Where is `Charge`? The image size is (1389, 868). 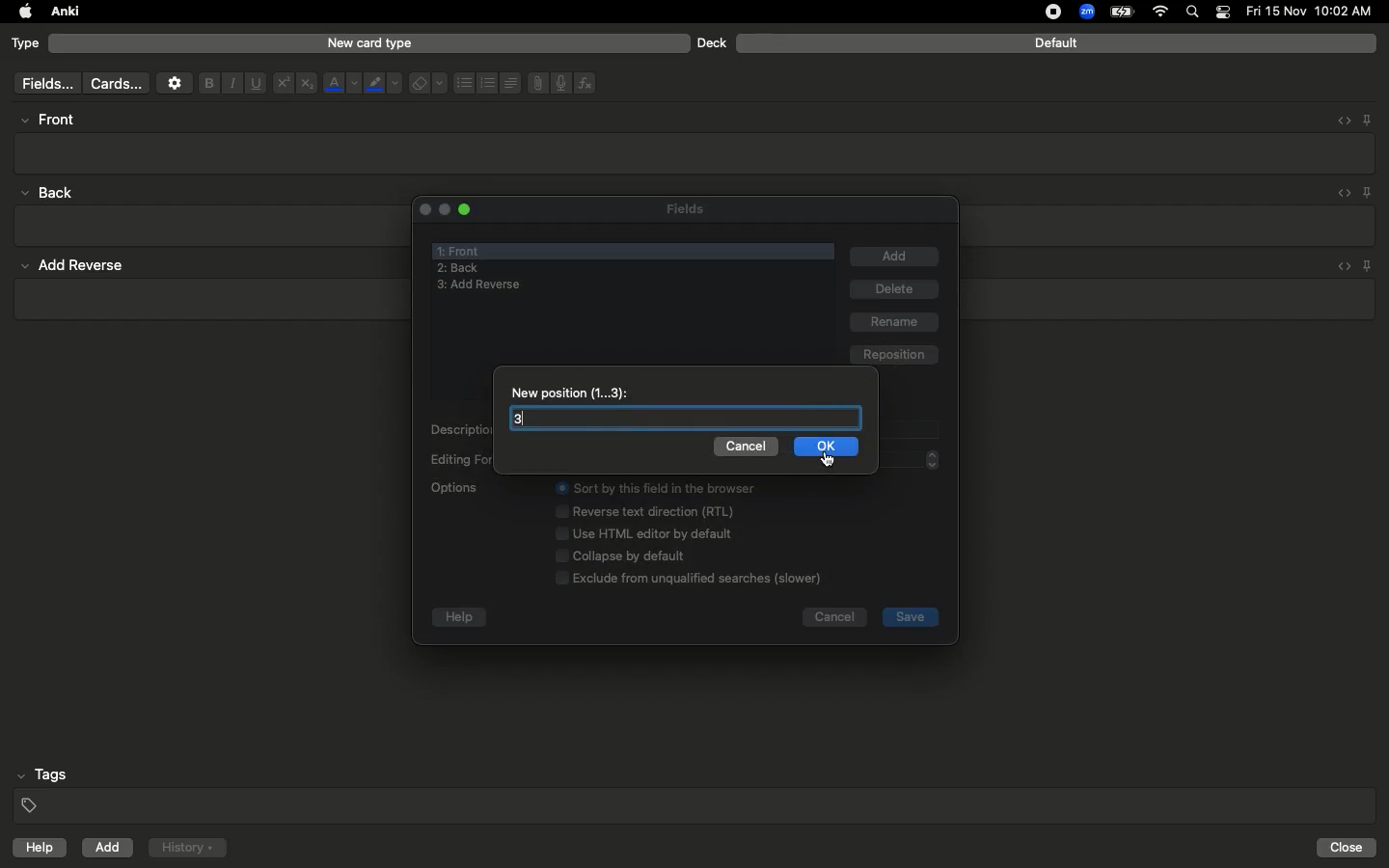
Charge is located at coordinates (1121, 12).